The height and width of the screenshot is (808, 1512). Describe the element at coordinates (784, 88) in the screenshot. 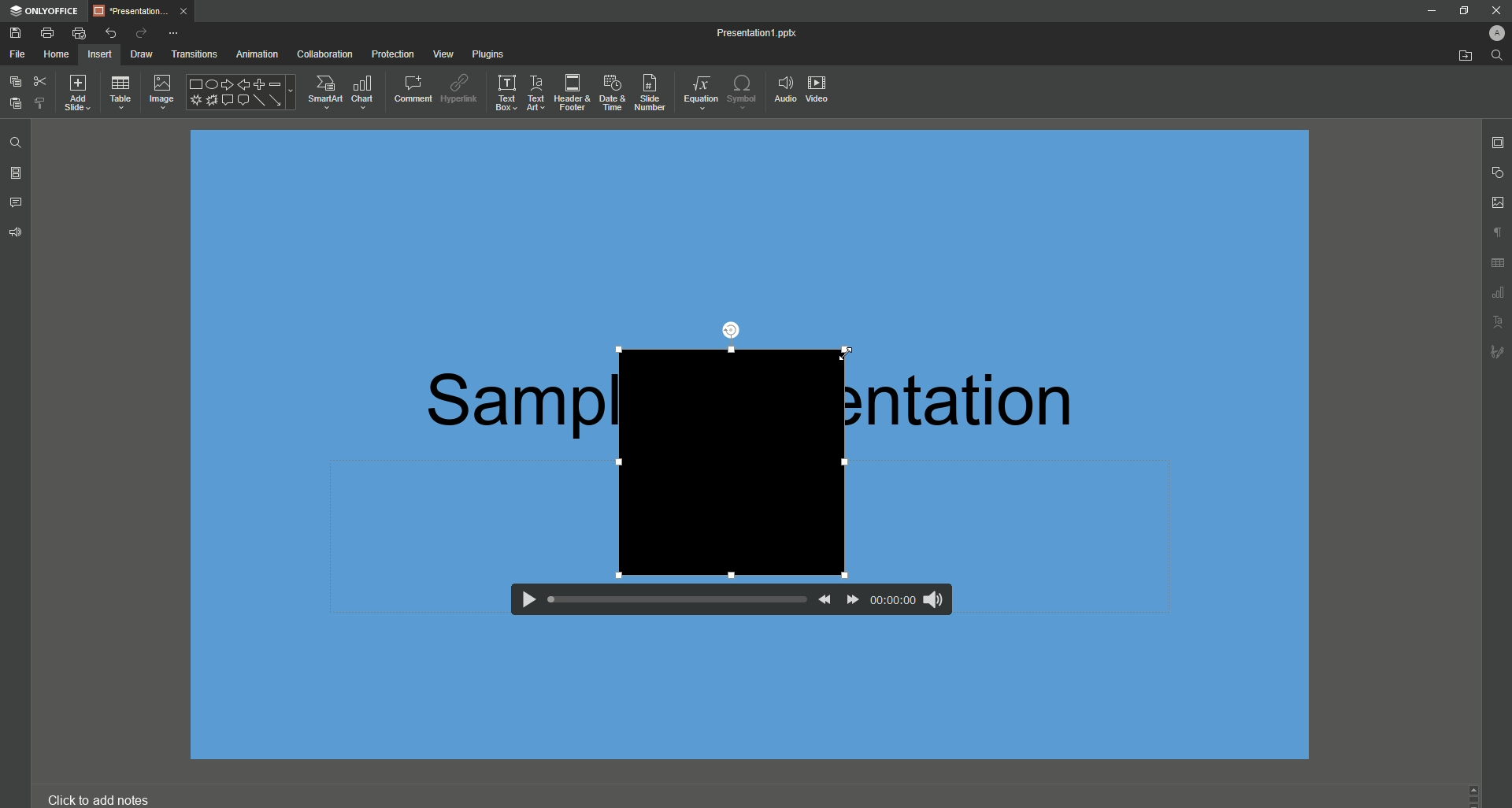

I see `Audio` at that location.